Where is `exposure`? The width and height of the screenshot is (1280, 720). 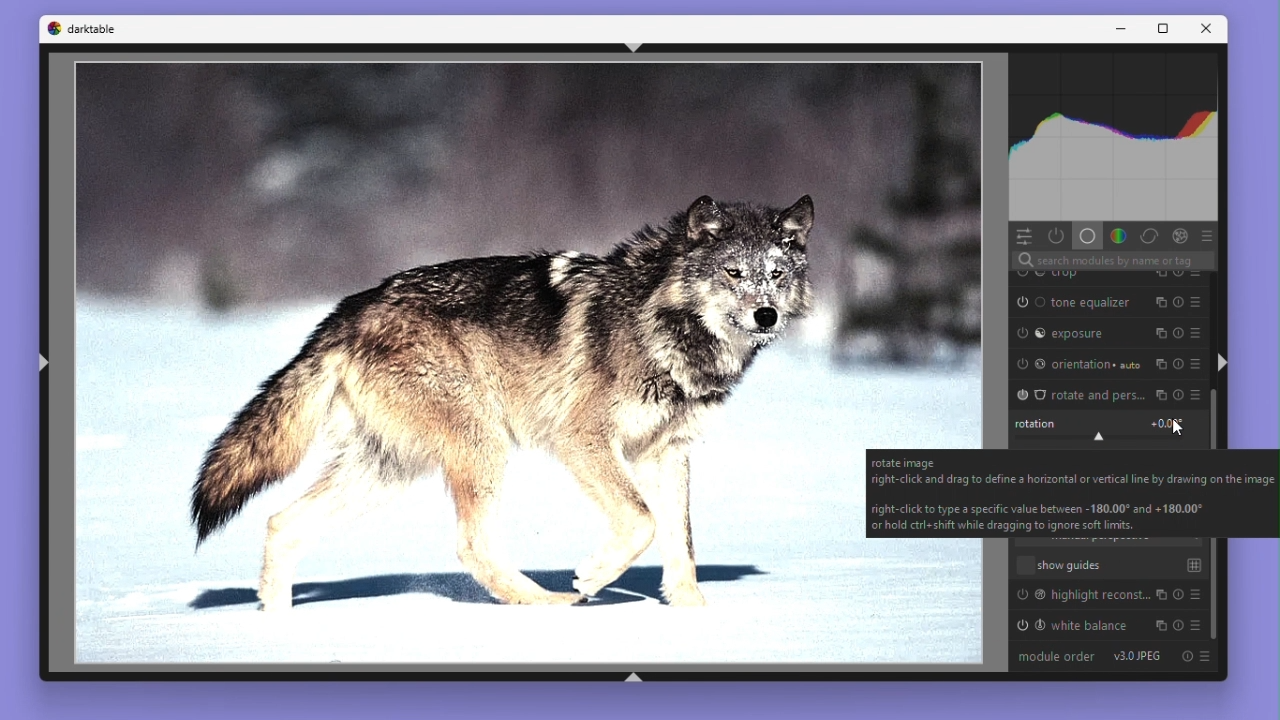
exposure is located at coordinates (1111, 333).